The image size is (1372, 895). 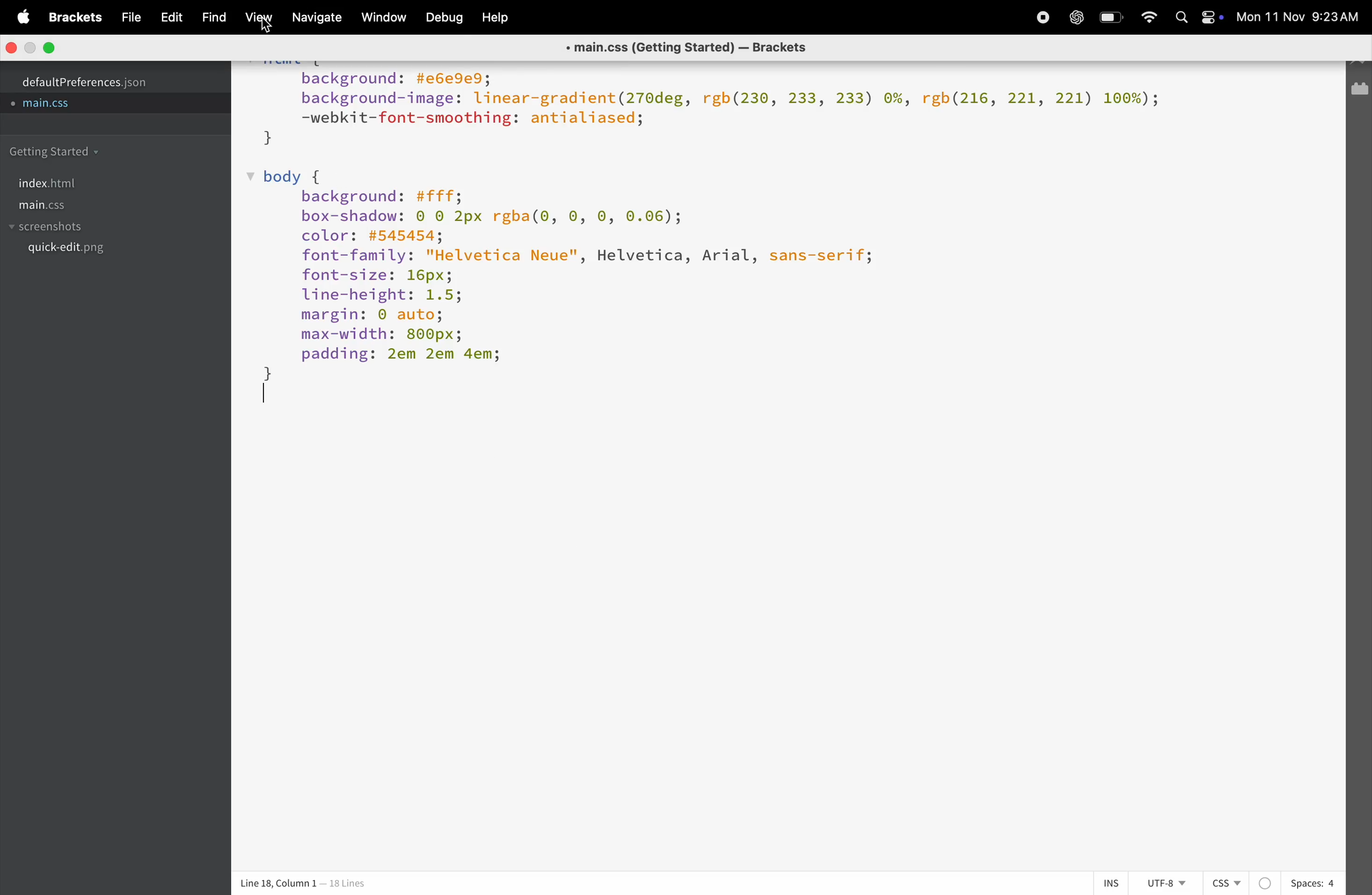 I want to click on file, so click(x=126, y=17).